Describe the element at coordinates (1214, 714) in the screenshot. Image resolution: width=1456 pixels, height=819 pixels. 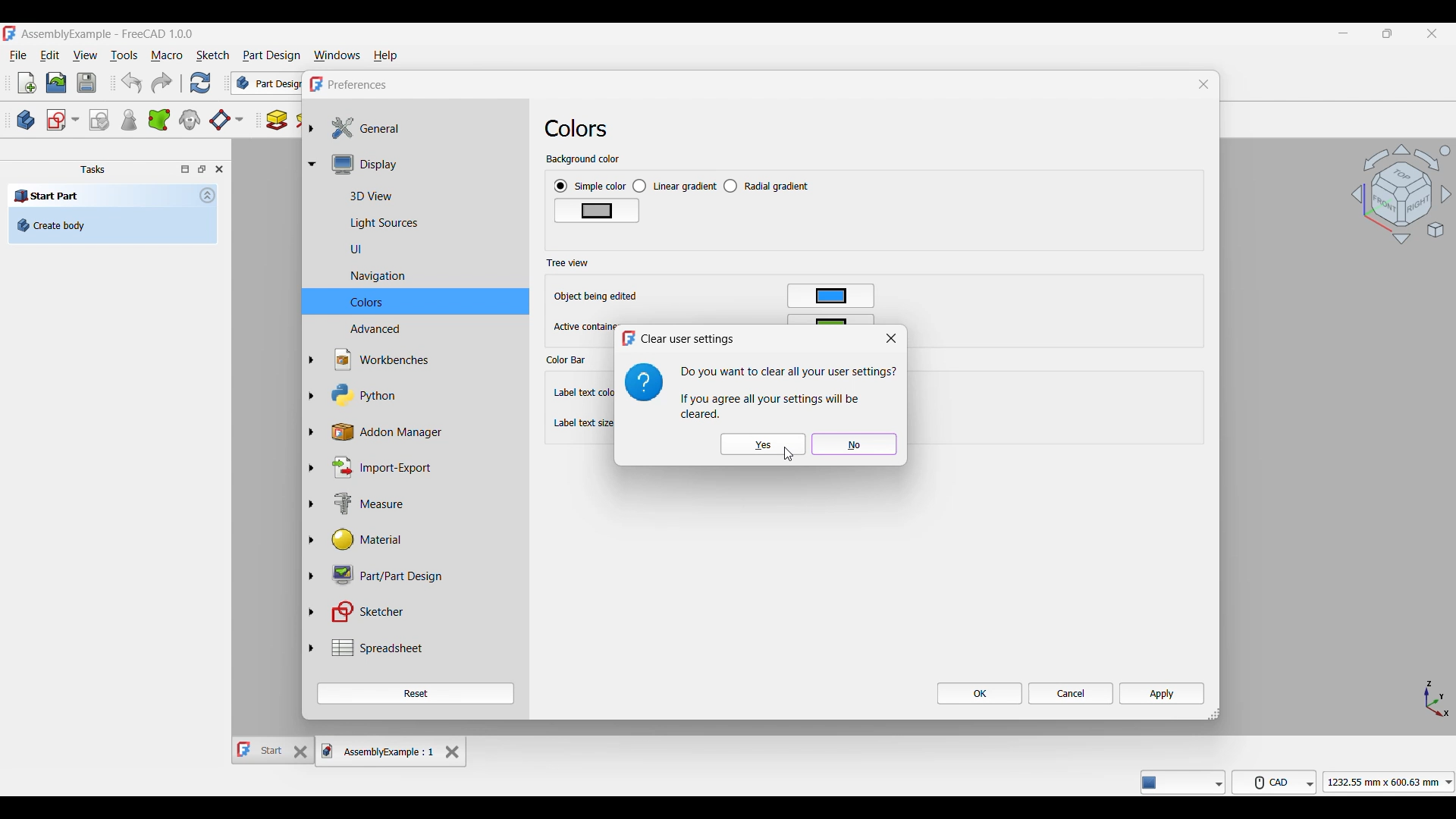
I see `Change window dimension` at that location.